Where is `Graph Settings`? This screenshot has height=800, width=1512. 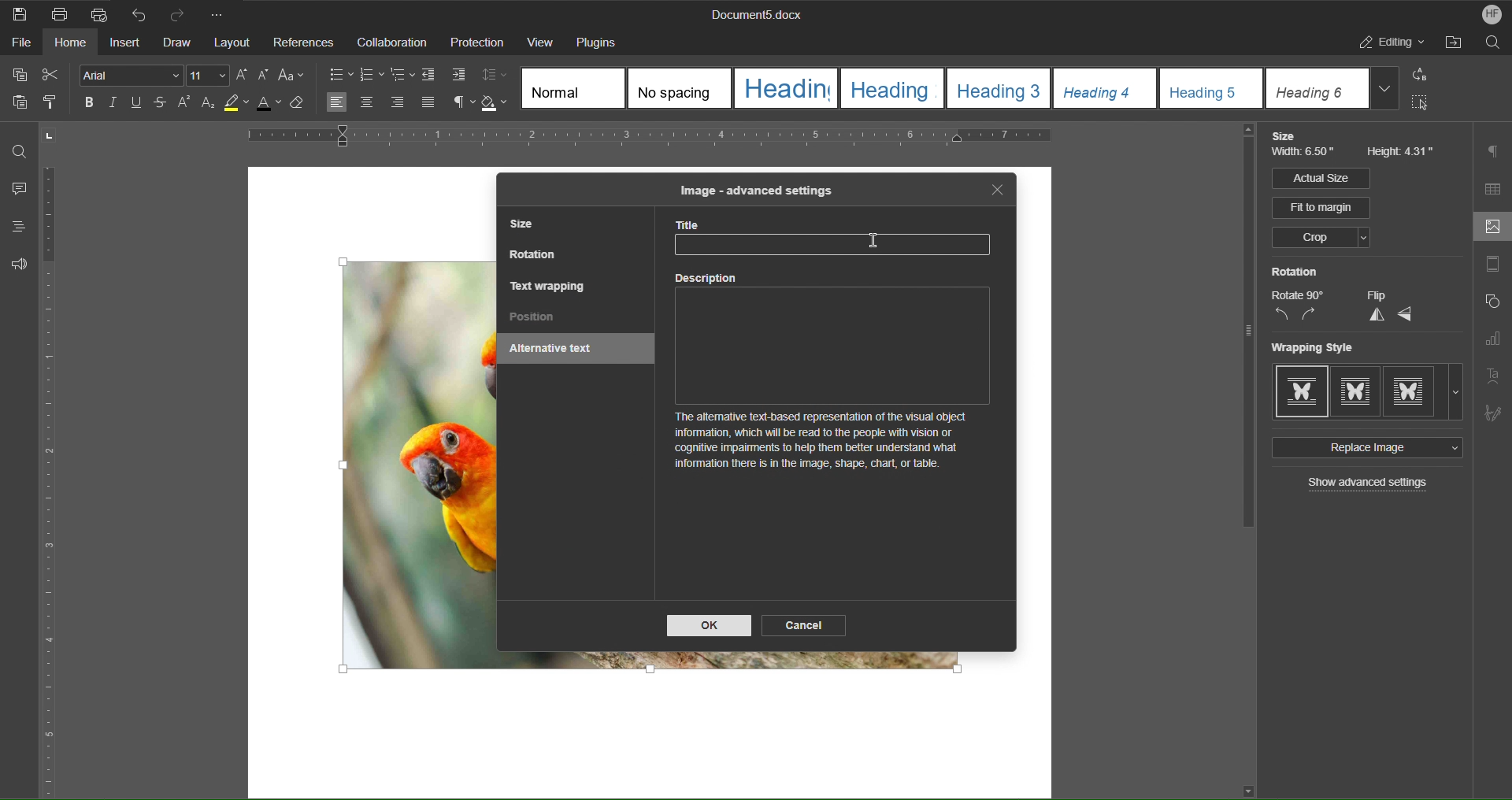 Graph Settings is located at coordinates (1492, 342).